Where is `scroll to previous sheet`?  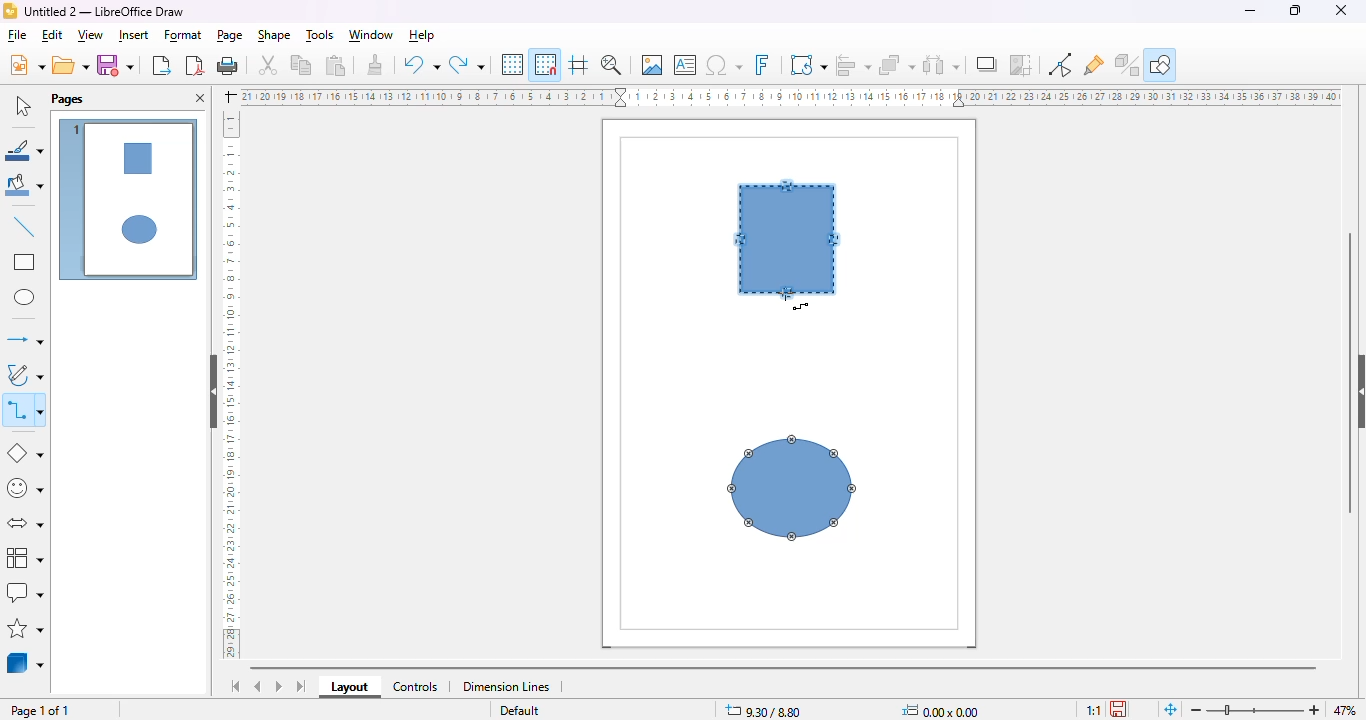 scroll to previous sheet is located at coordinates (258, 686).